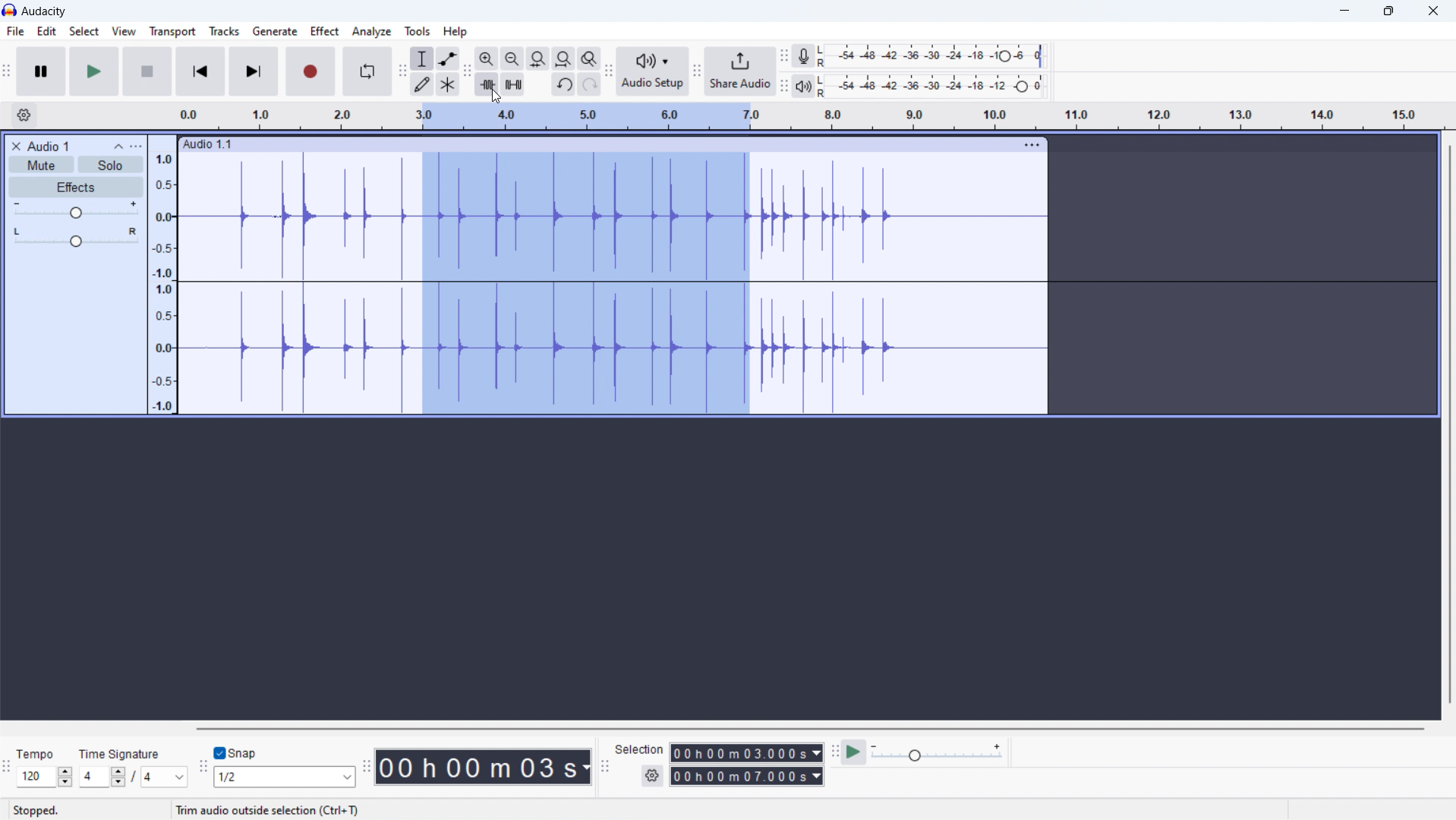  What do you see at coordinates (325, 31) in the screenshot?
I see `effect` at bounding box center [325, 31].